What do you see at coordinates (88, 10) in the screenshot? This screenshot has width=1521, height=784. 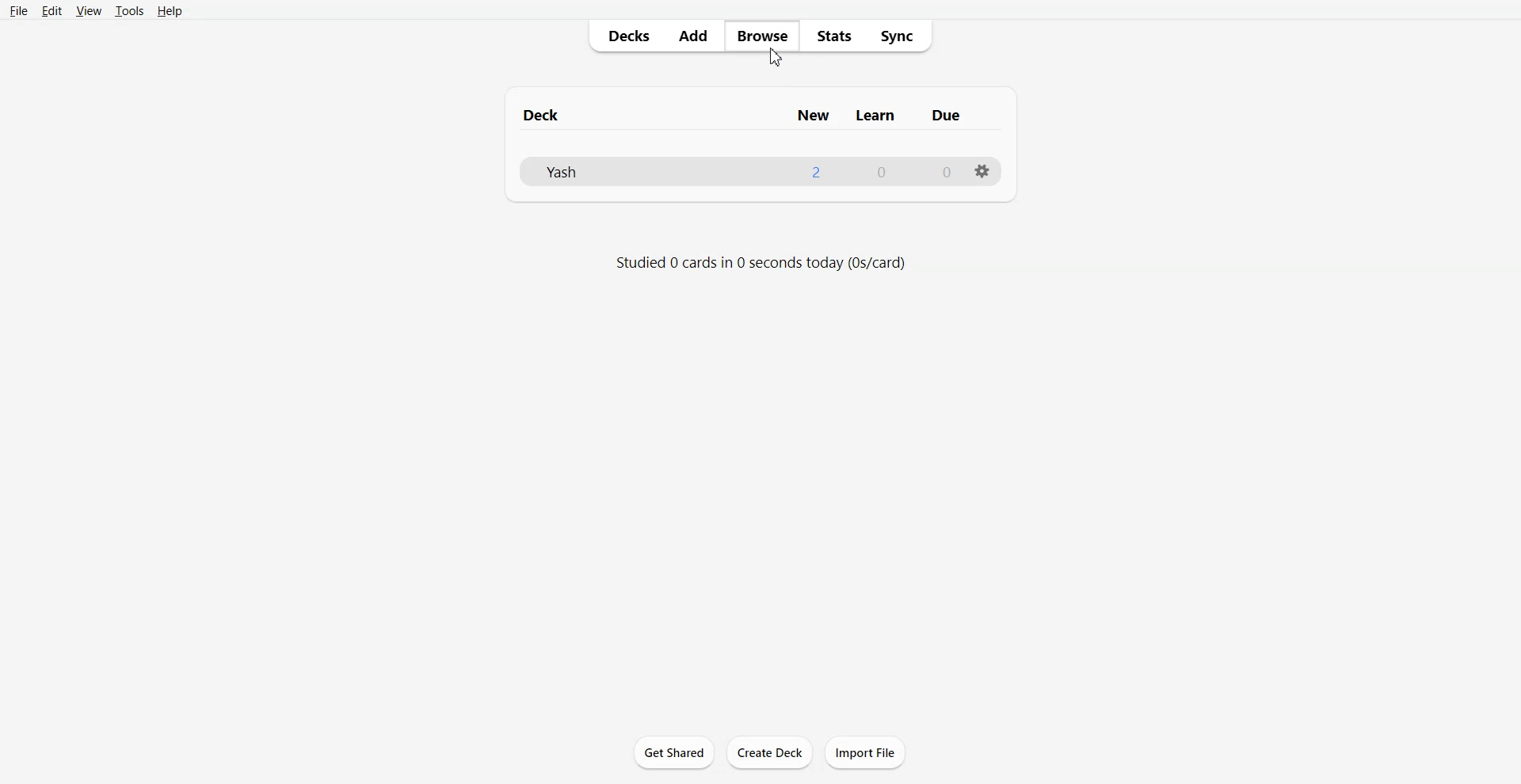 I see `View` at bounding box center [88, 10].